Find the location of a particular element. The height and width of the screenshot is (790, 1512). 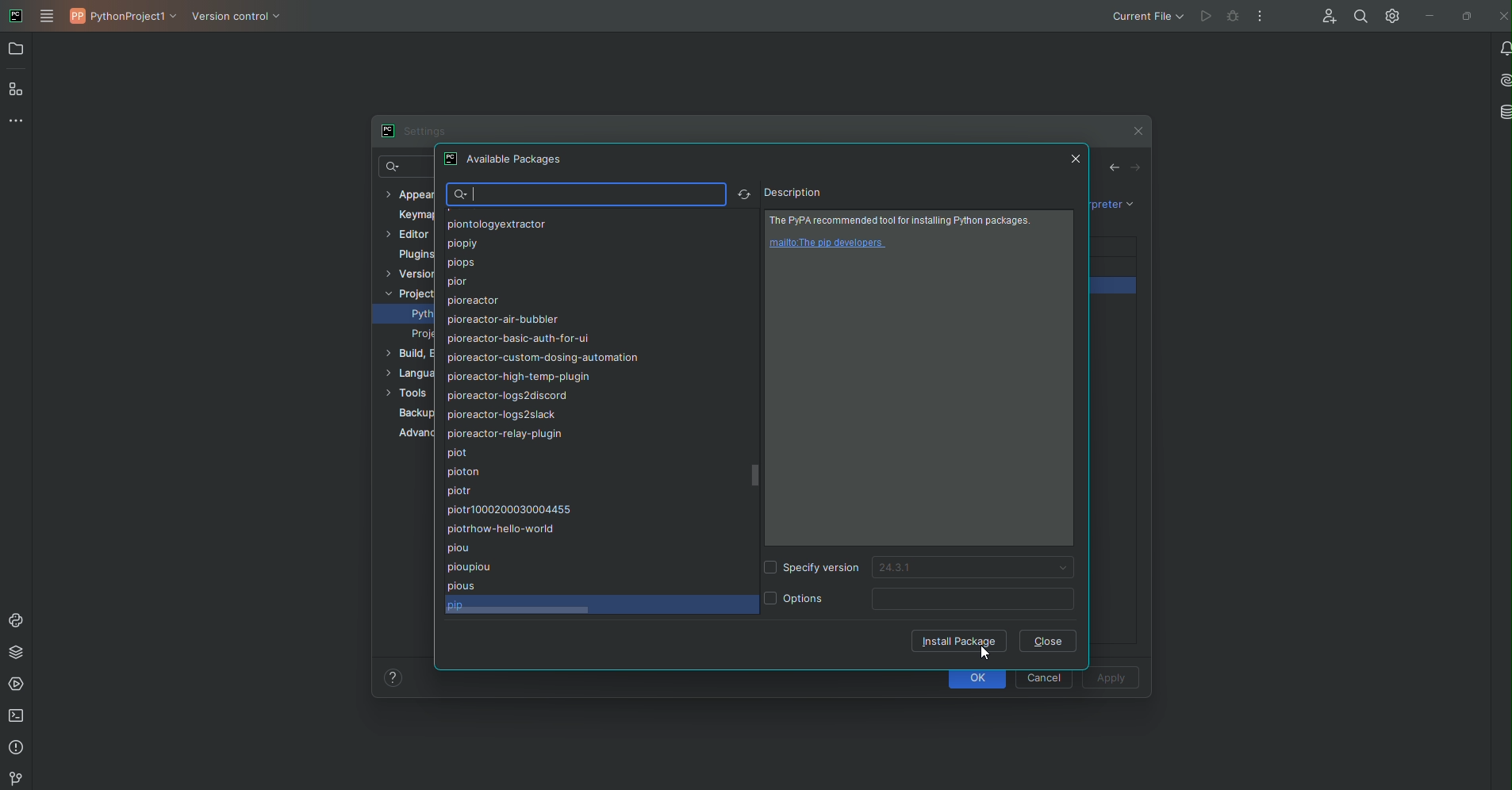

Cancel is located at coordinates (1044, 676).